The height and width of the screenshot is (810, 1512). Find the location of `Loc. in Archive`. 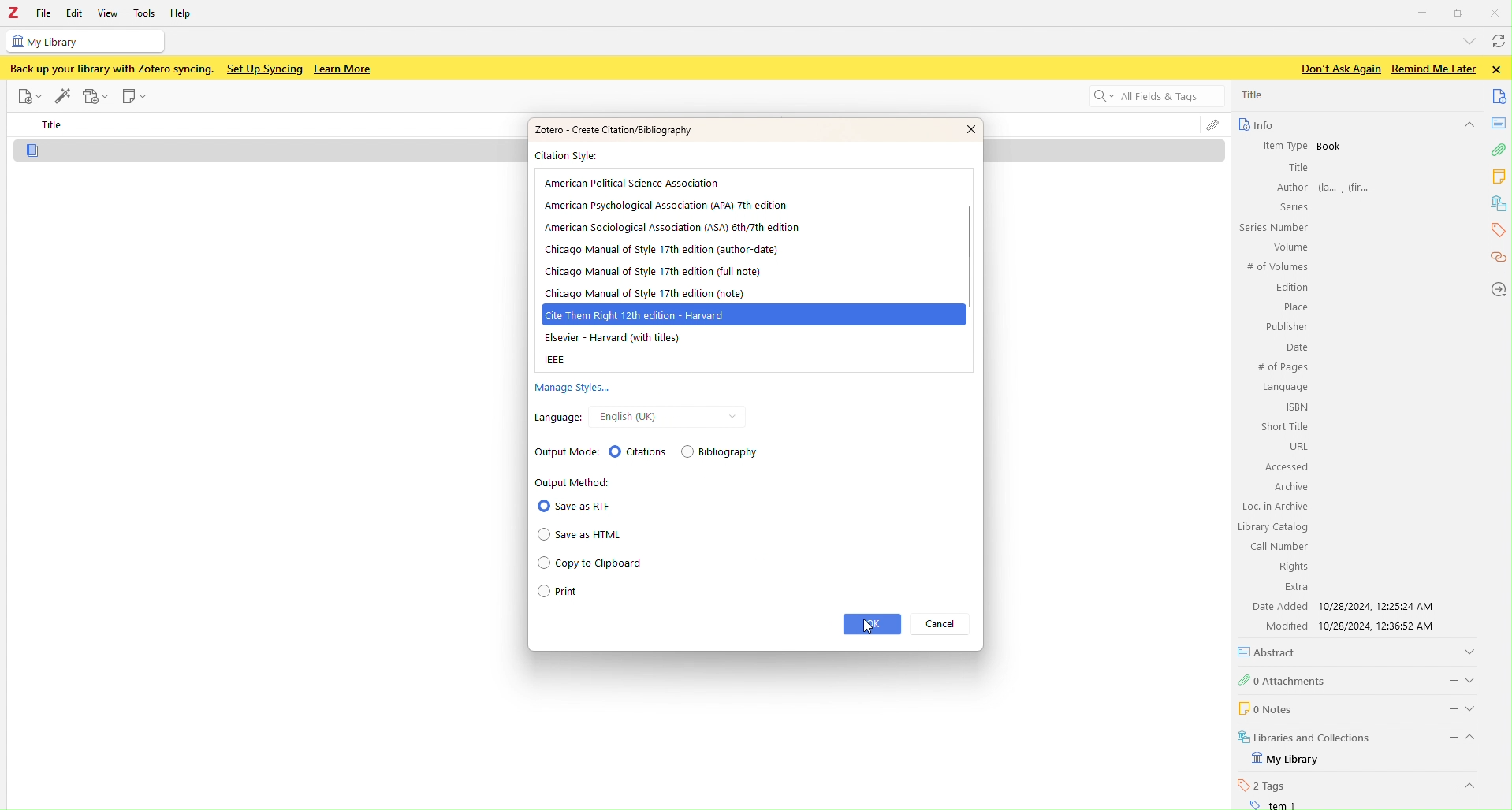

Loc. in Archive is located at coordinates (1276, 507).